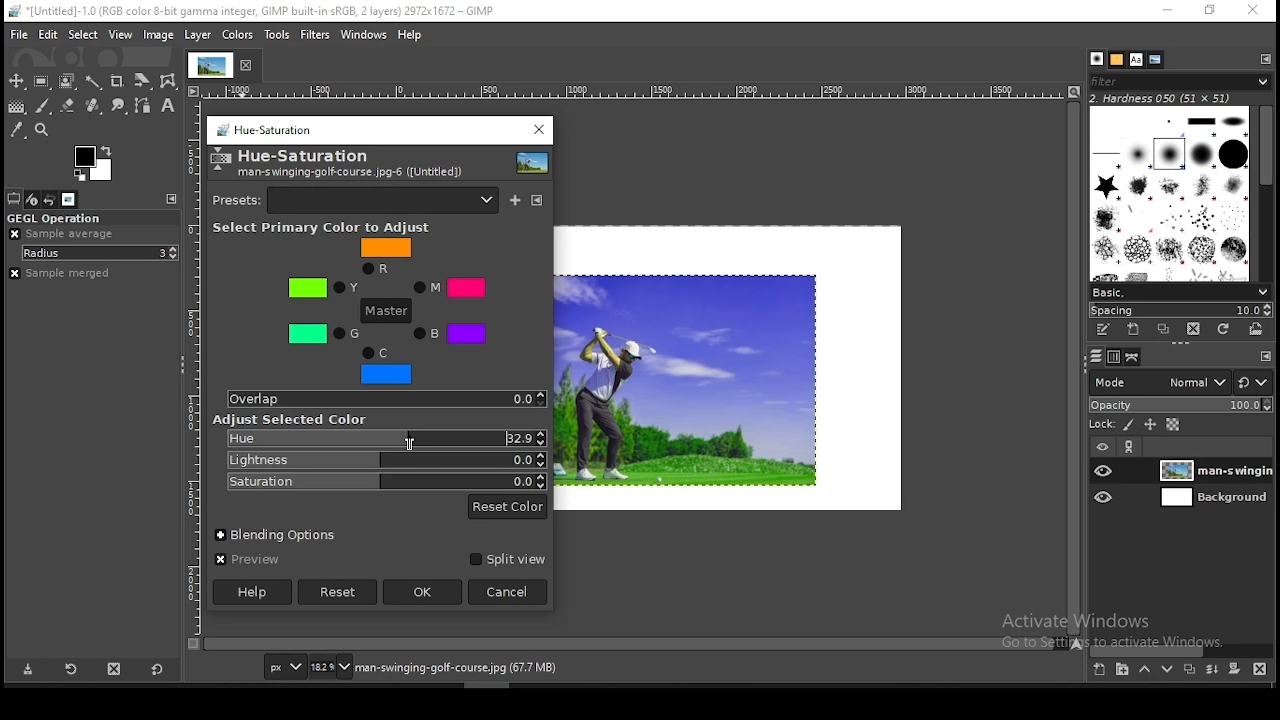 The image size is (1280, 720). I want to click on colors, so click(95, 161).